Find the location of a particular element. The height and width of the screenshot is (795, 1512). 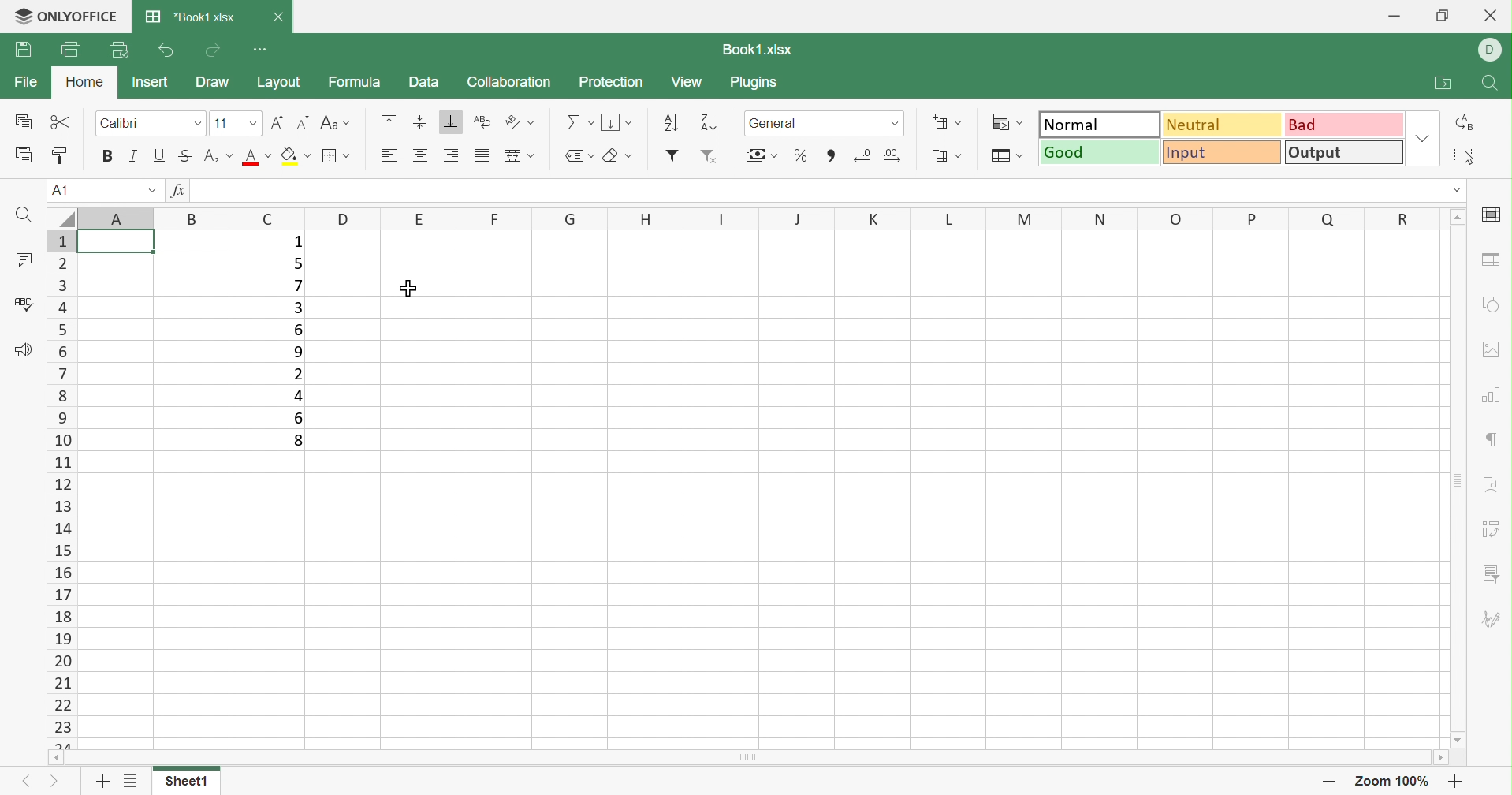

Strikethrough is located at coordinates (188, 157).